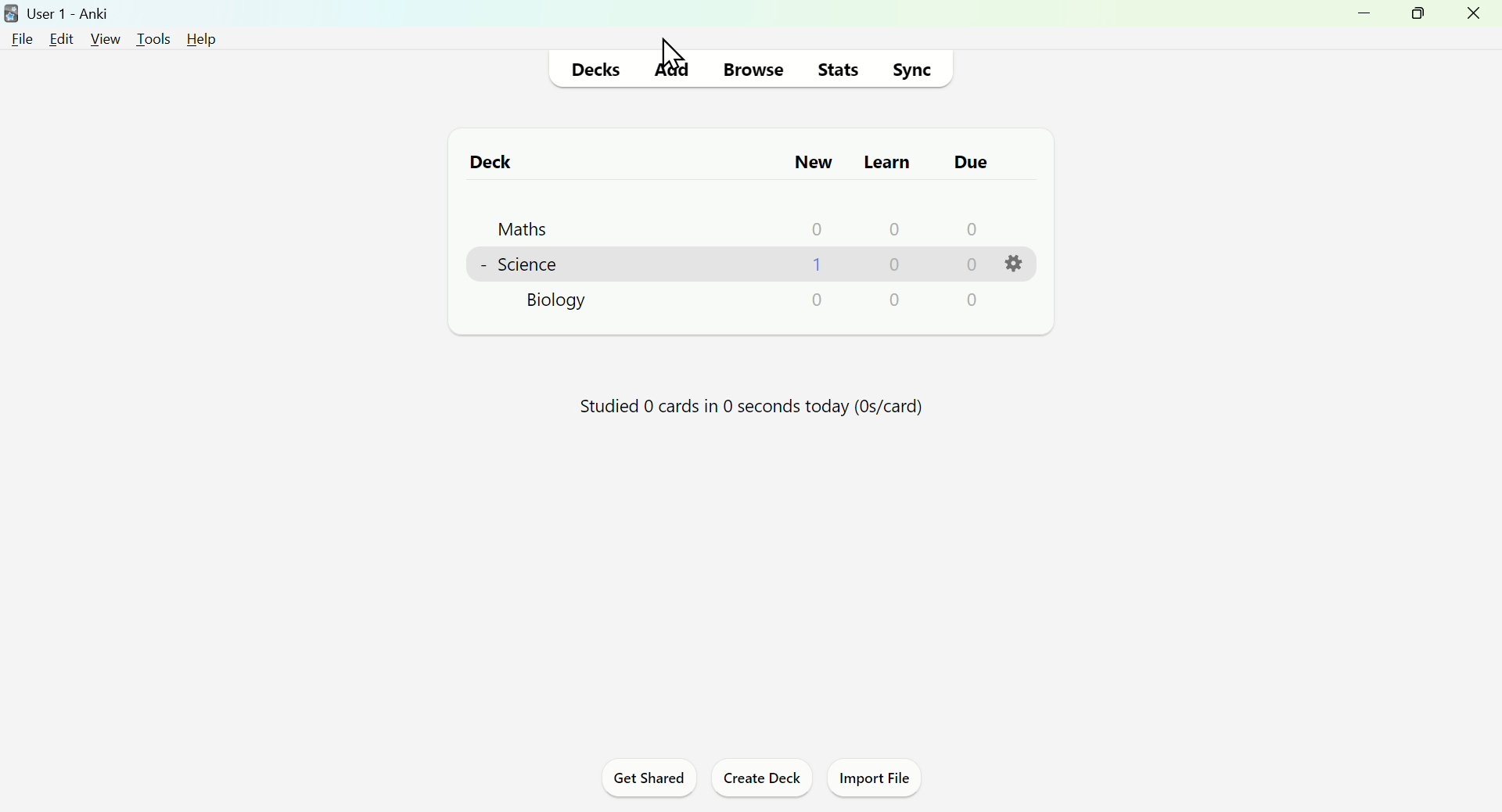 This screenshot has height=812, width=1502. What do you see at coordinates (758, 780) in the screenshot?
I see `Create Deck` at bounding box center [758, 780].